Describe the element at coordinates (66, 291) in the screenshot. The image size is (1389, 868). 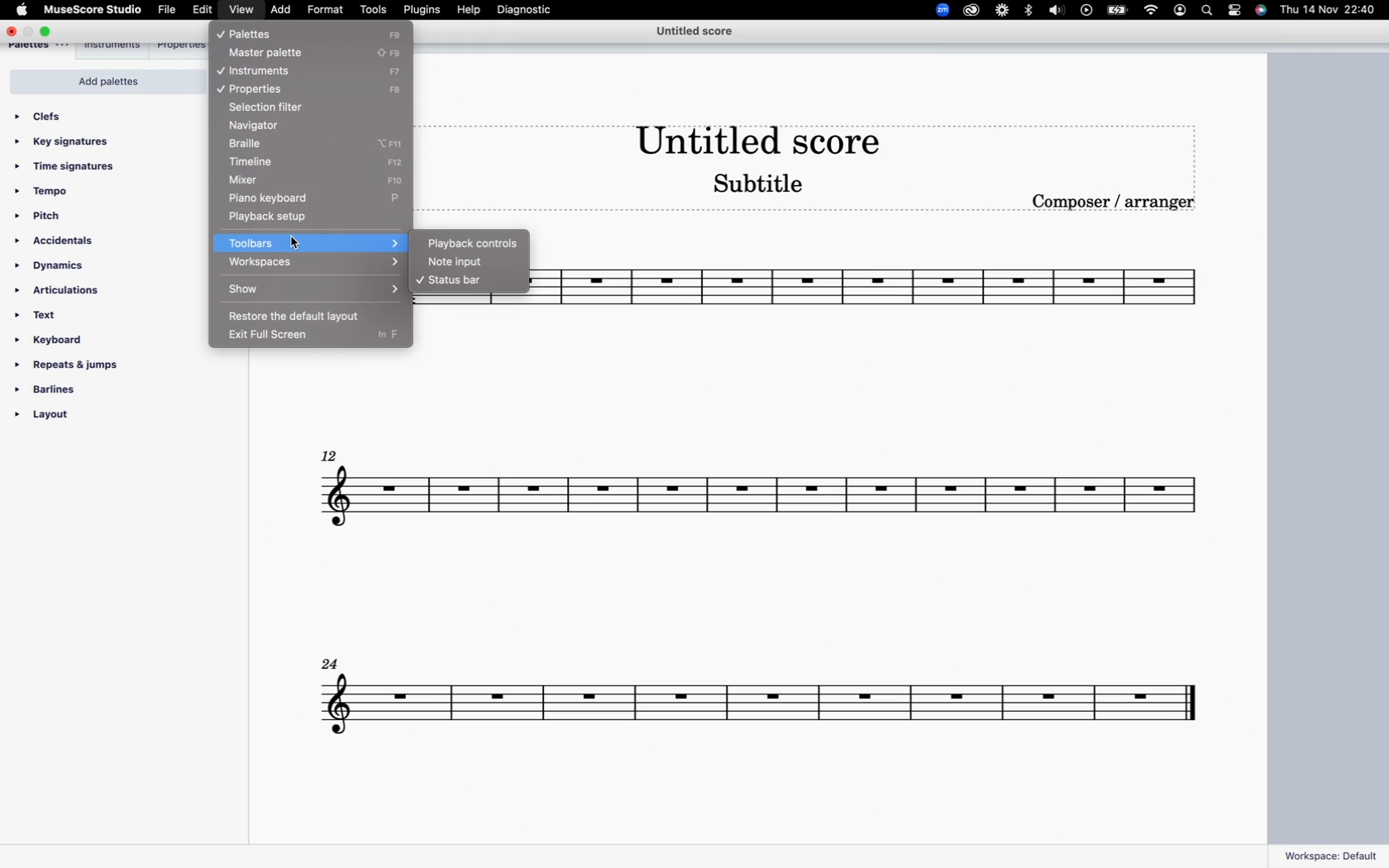
I see `articulations` at that location.